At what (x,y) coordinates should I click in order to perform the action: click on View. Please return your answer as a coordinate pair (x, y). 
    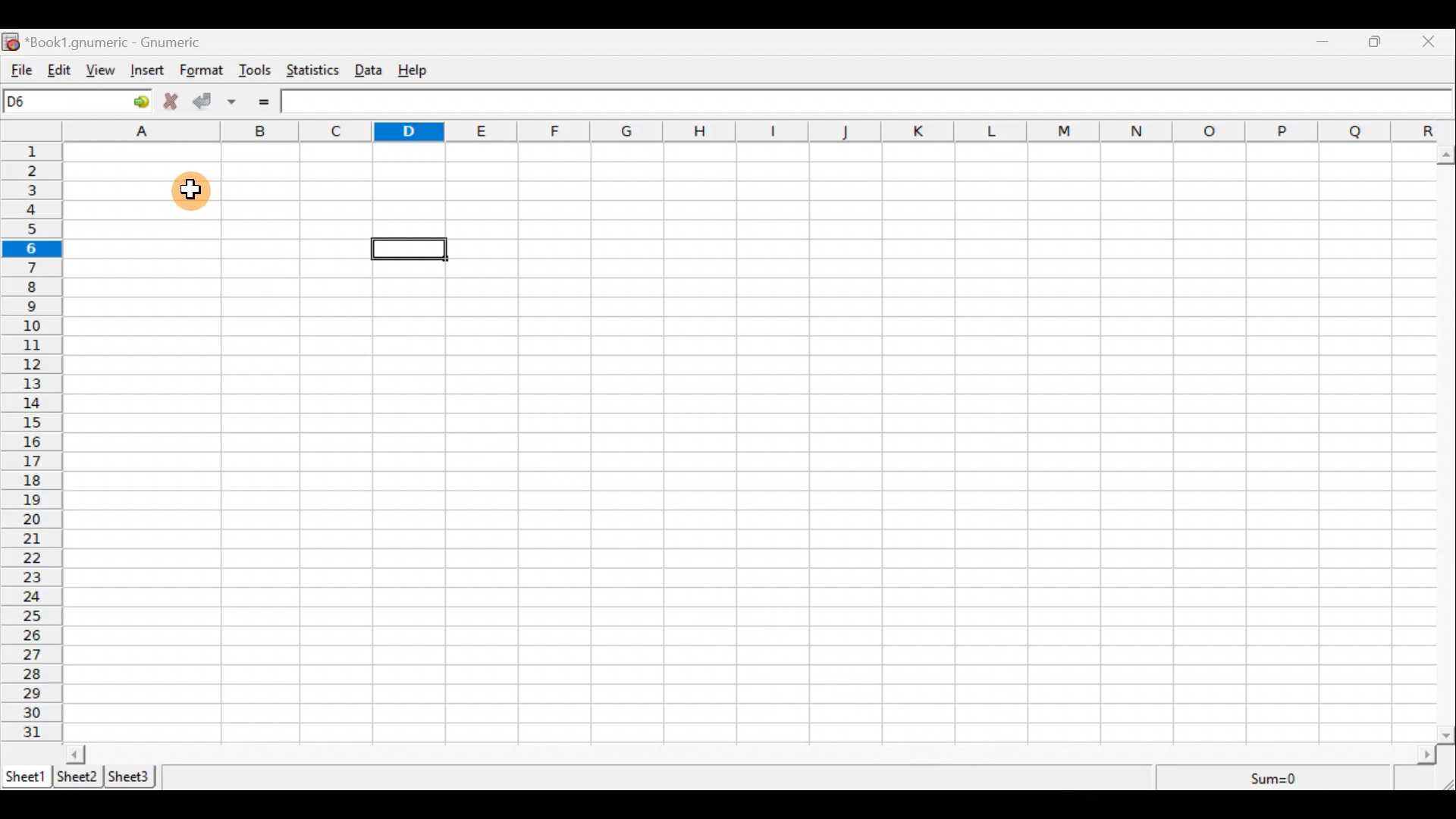
    Looking at the image, I should click on (102, 72).